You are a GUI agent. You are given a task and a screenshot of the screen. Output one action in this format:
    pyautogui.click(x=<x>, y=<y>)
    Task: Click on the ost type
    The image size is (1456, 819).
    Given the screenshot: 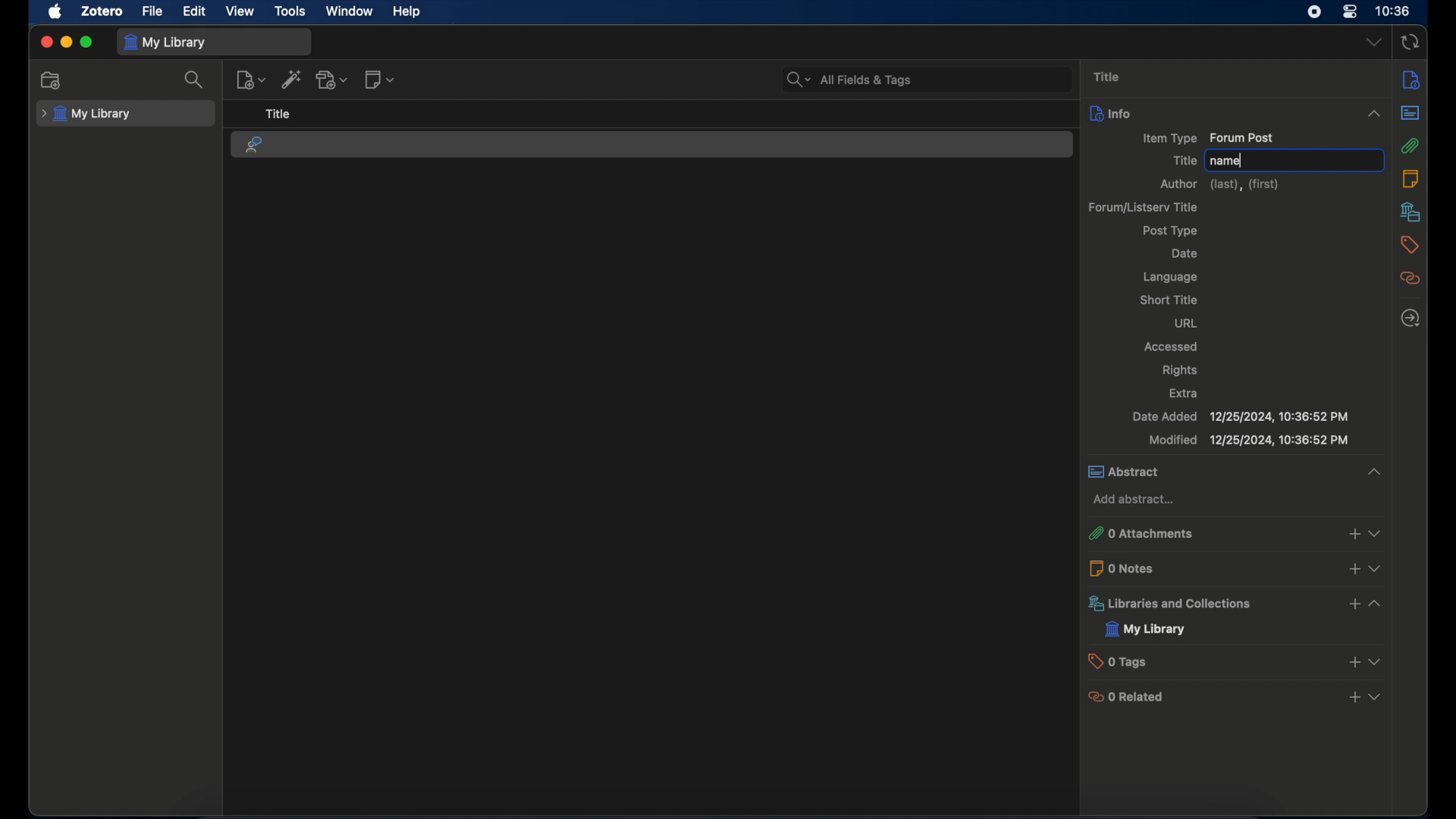 What is the action you would take?
    pyautogui.click(x=1173, y=230)
    